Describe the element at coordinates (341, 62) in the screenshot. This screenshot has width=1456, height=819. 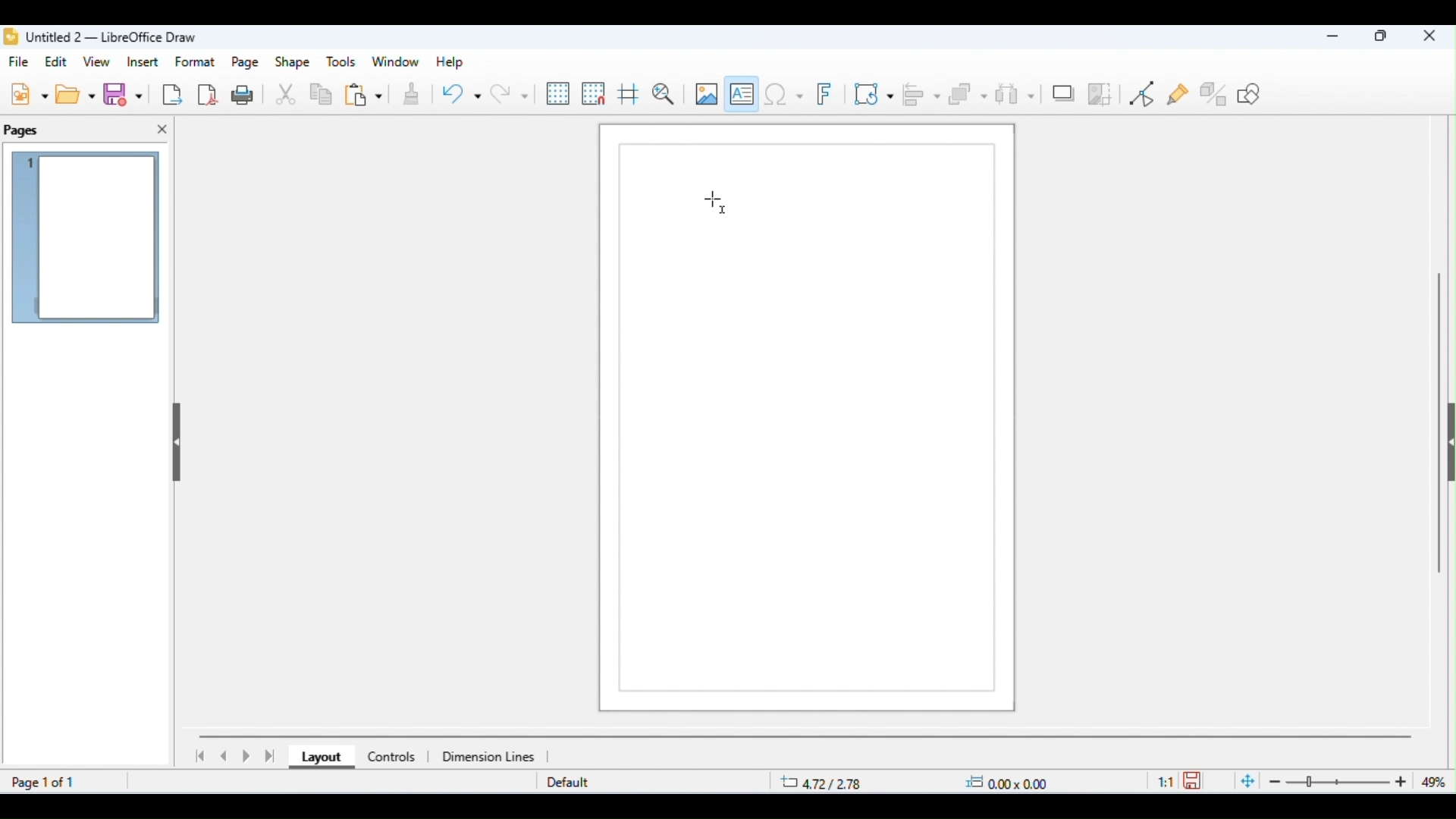
I see `tools` at that location.